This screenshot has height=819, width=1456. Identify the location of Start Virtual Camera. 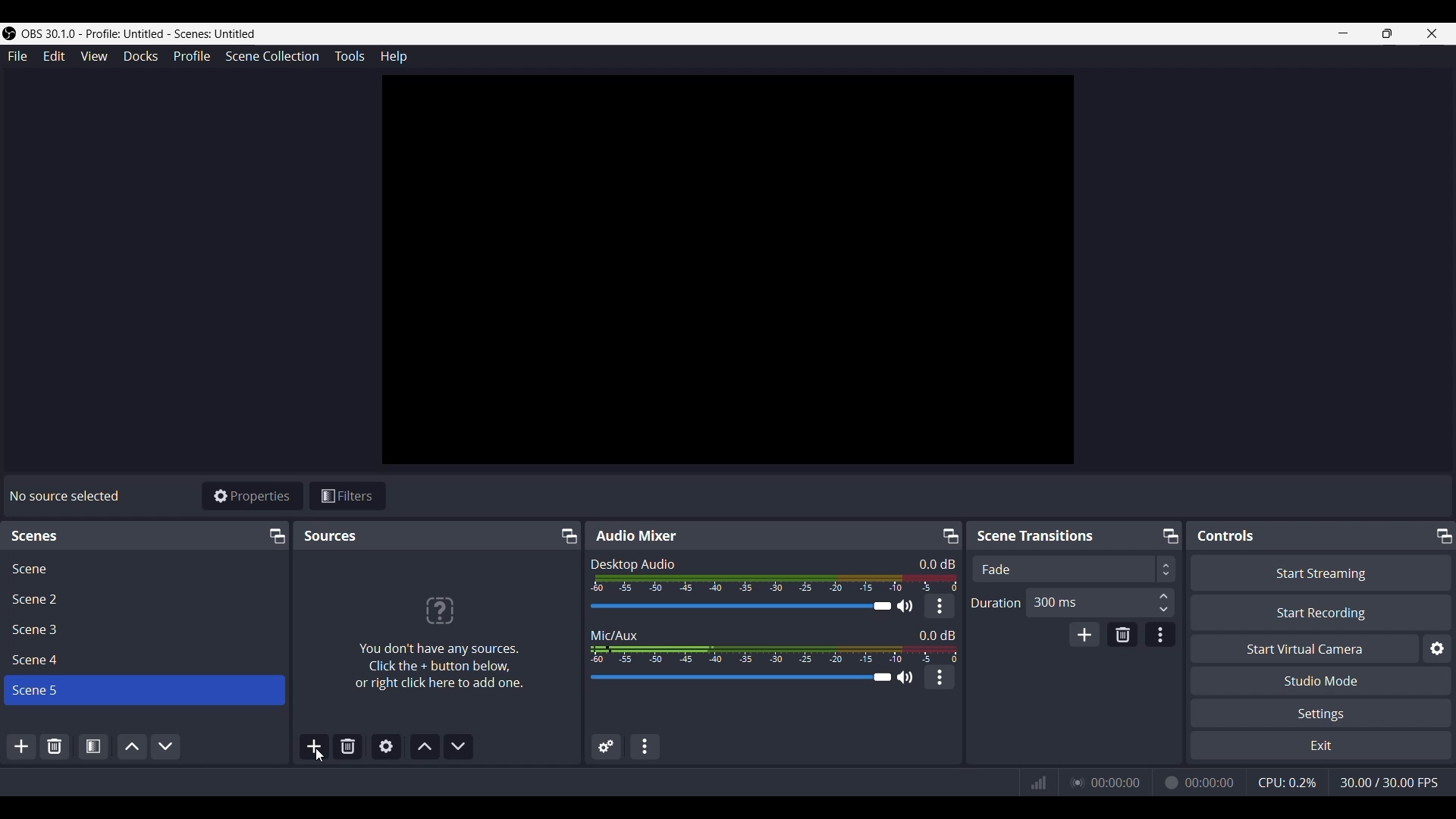
(1301, 648).